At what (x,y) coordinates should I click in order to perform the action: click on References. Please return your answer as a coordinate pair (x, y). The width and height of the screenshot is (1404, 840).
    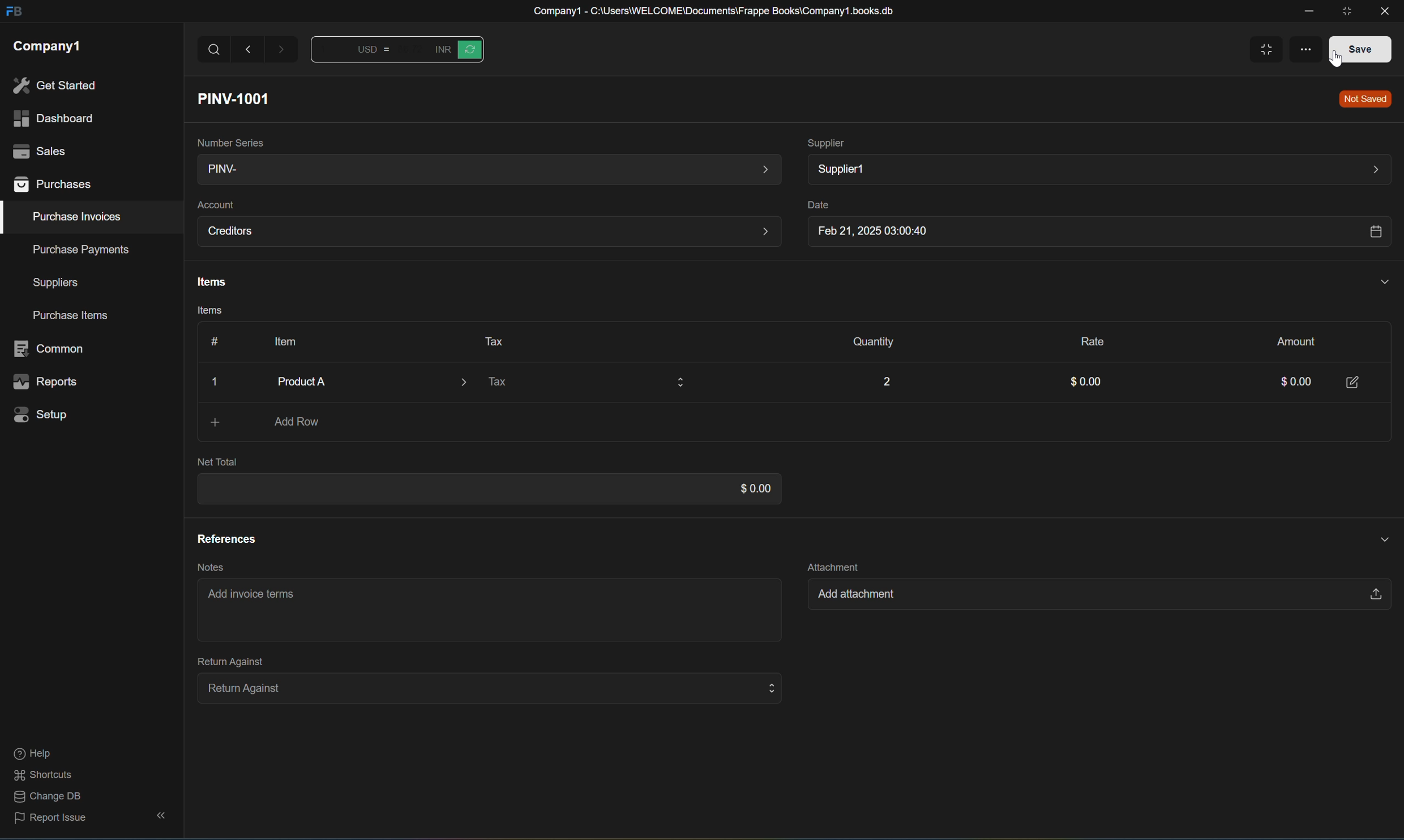
    Looking at the image, I should click on (226, 538).